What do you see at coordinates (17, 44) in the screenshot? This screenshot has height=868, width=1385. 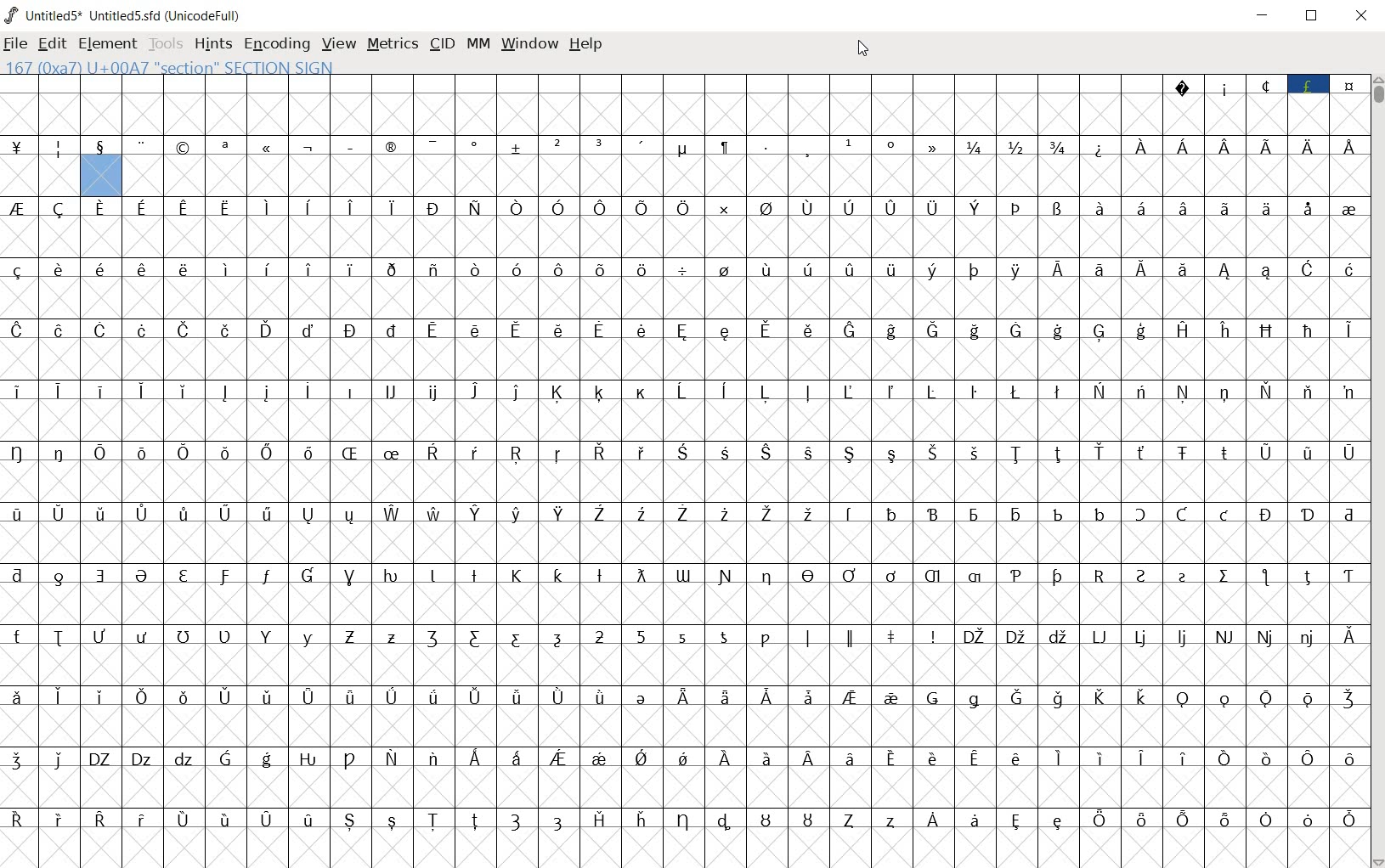 I see `FILE` at bounding box center [17, 44].